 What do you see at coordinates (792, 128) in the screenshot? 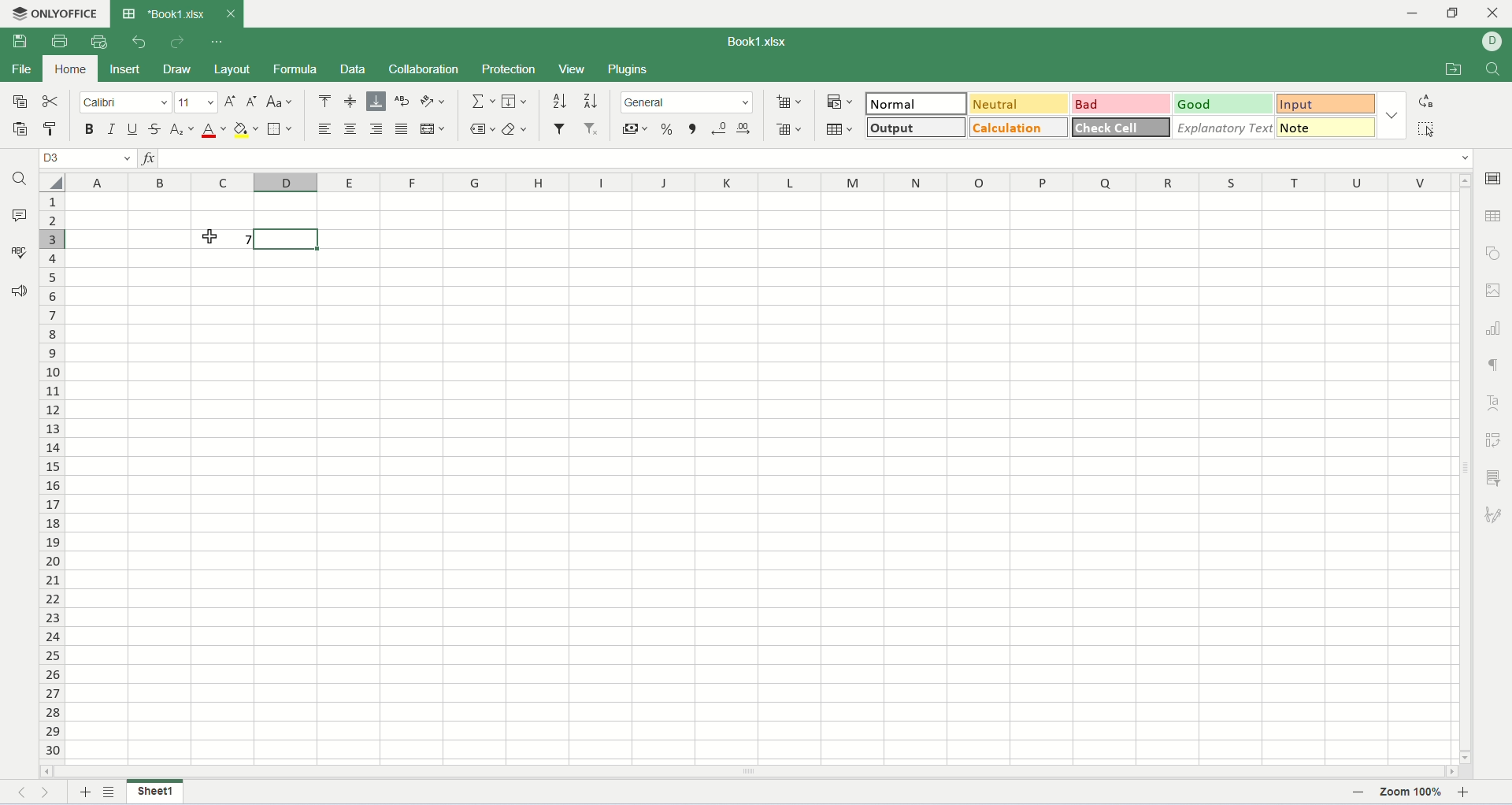
I see `remove cell` at bounding box center [792, 128].